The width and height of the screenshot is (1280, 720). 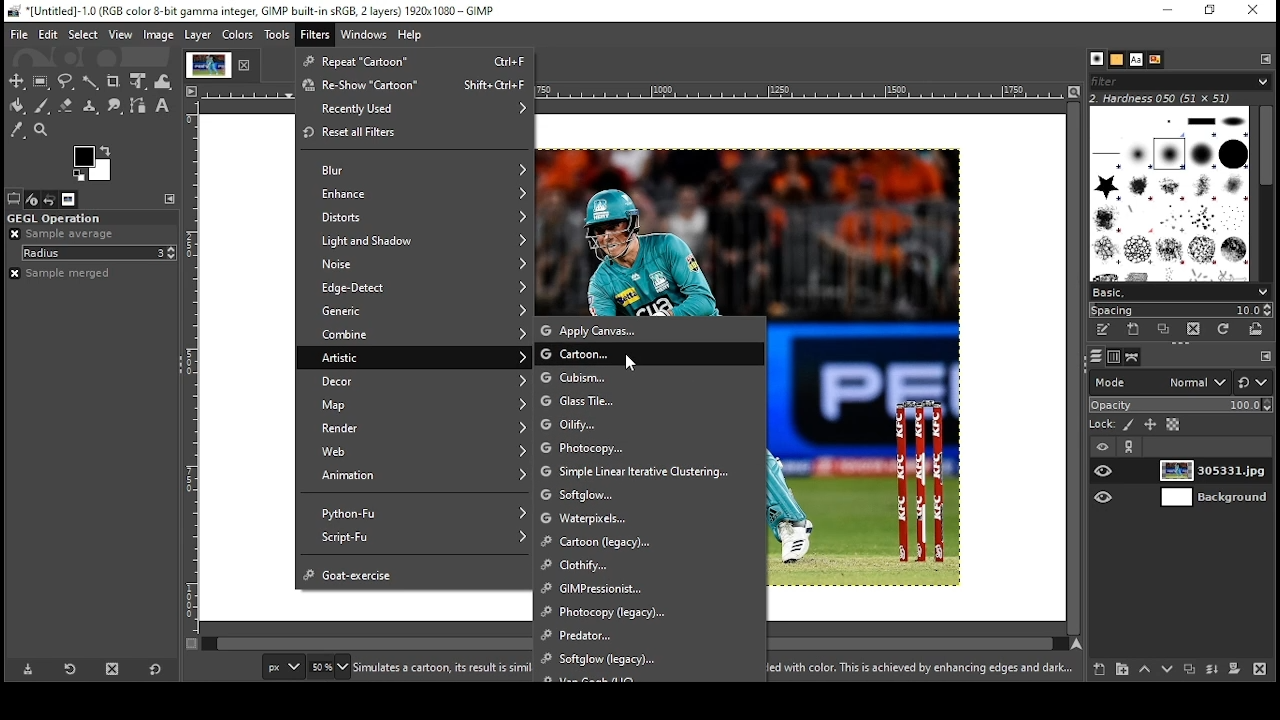 I want to click on fonts, so click(x=1136, y=60).